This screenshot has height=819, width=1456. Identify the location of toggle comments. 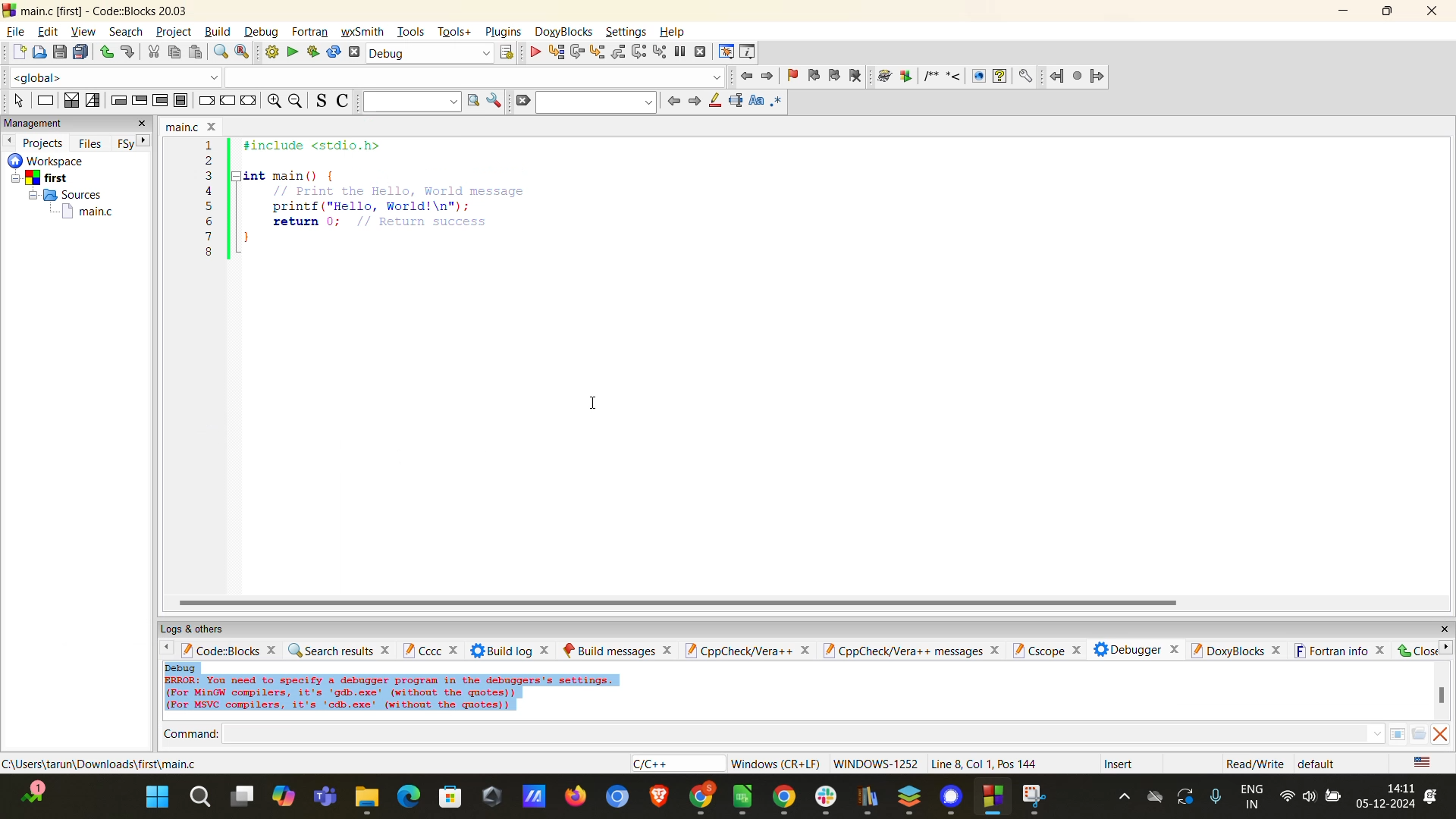
(344, 102).